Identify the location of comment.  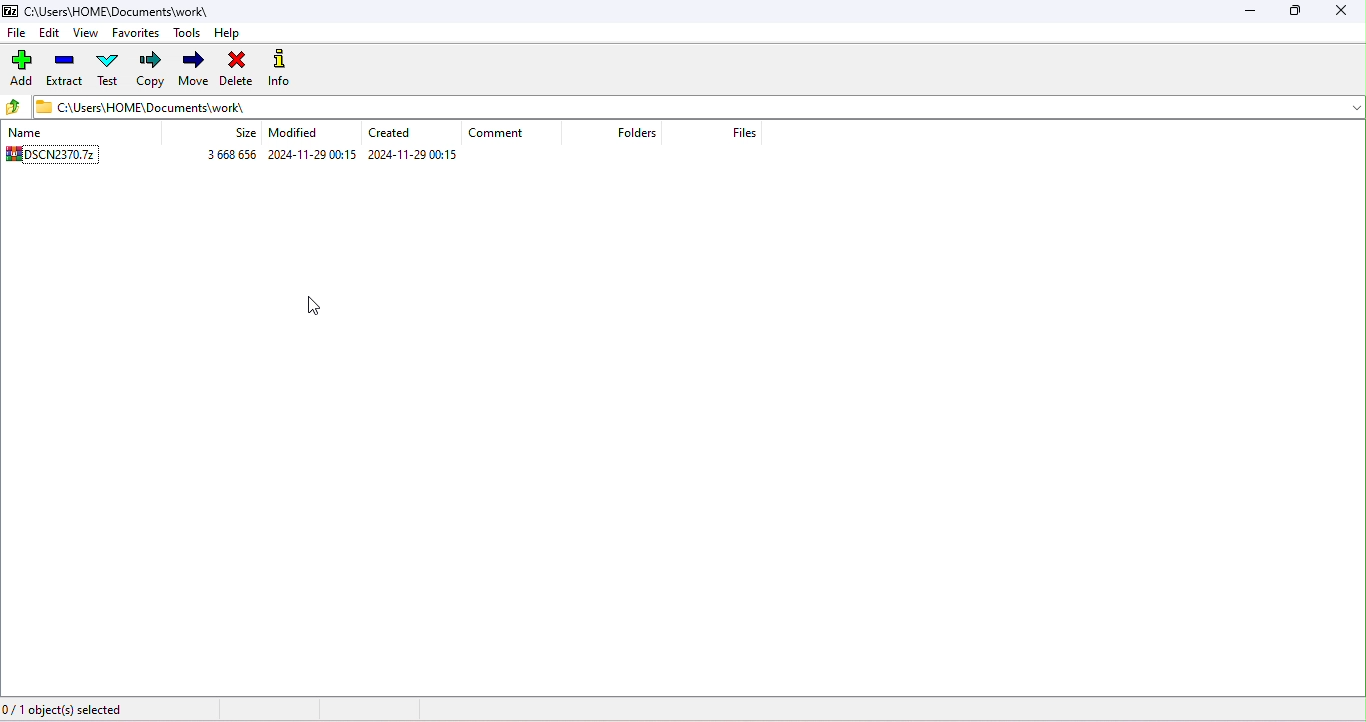
(499, 134).